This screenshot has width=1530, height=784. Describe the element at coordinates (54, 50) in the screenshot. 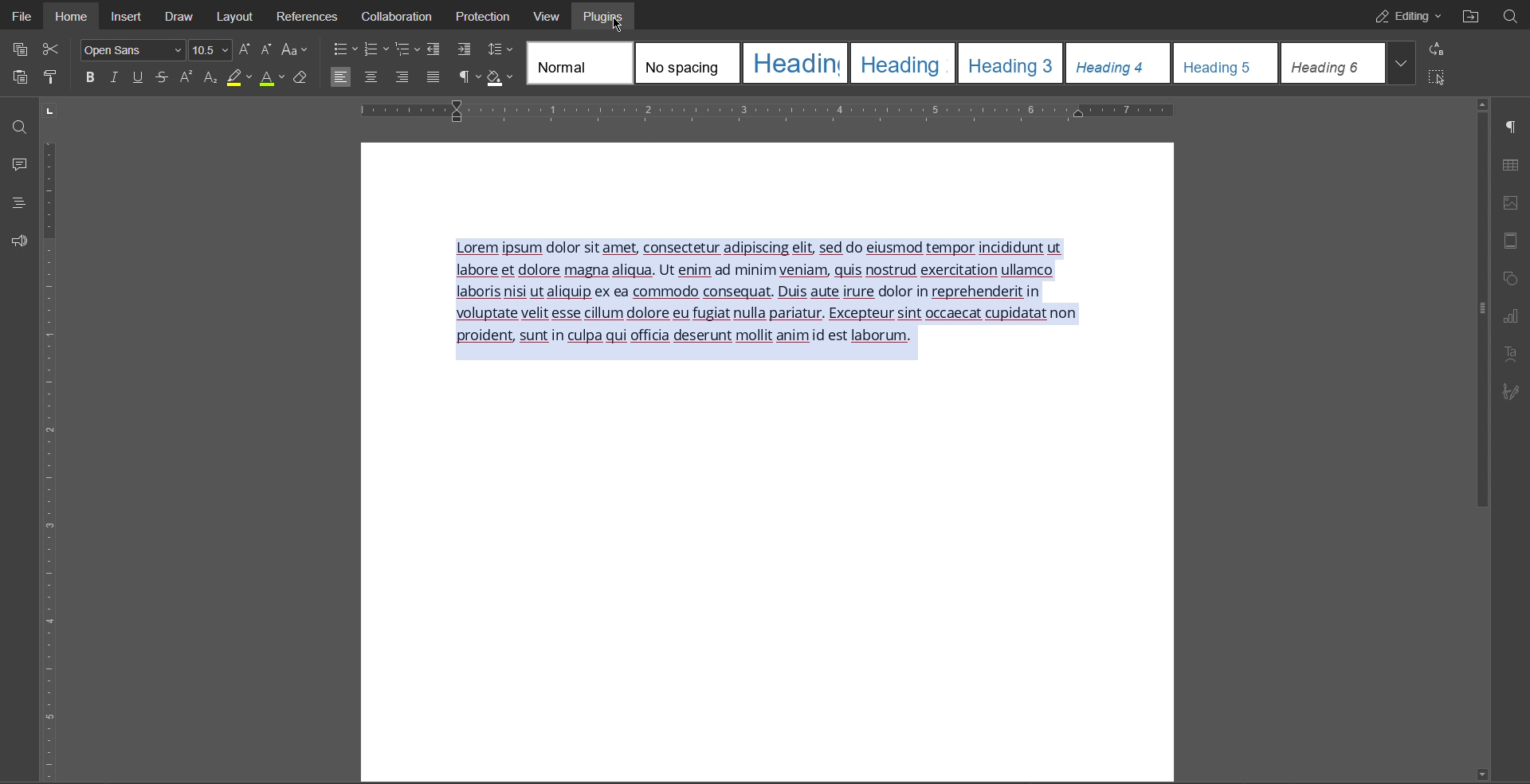

I see `Cut` at that location.